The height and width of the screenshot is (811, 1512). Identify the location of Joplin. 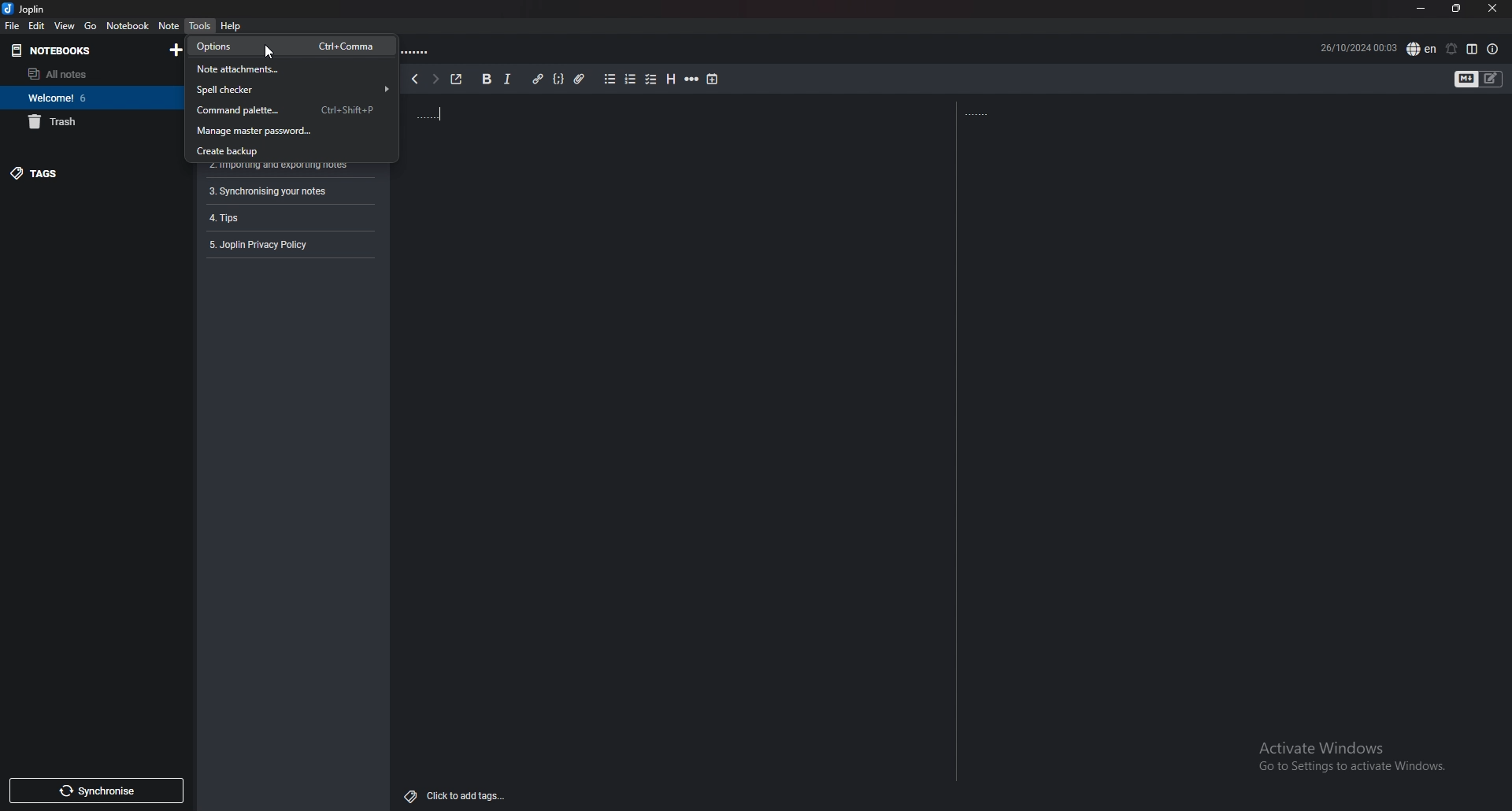
(26, 9).